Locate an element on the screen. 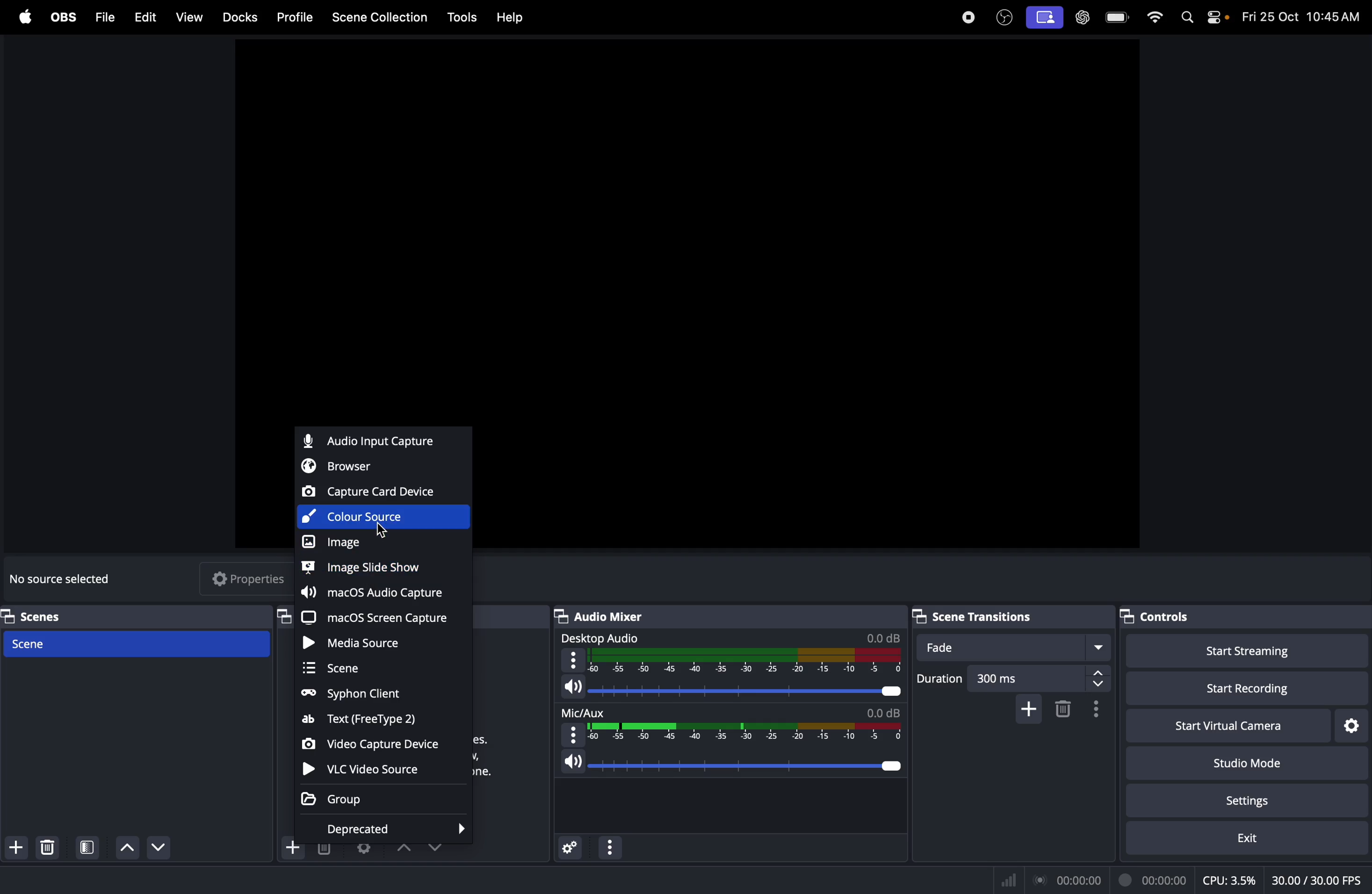 Image resolution: width=1372 pixels, height=894 pixels. Scene is located at coordinates (140, 642).